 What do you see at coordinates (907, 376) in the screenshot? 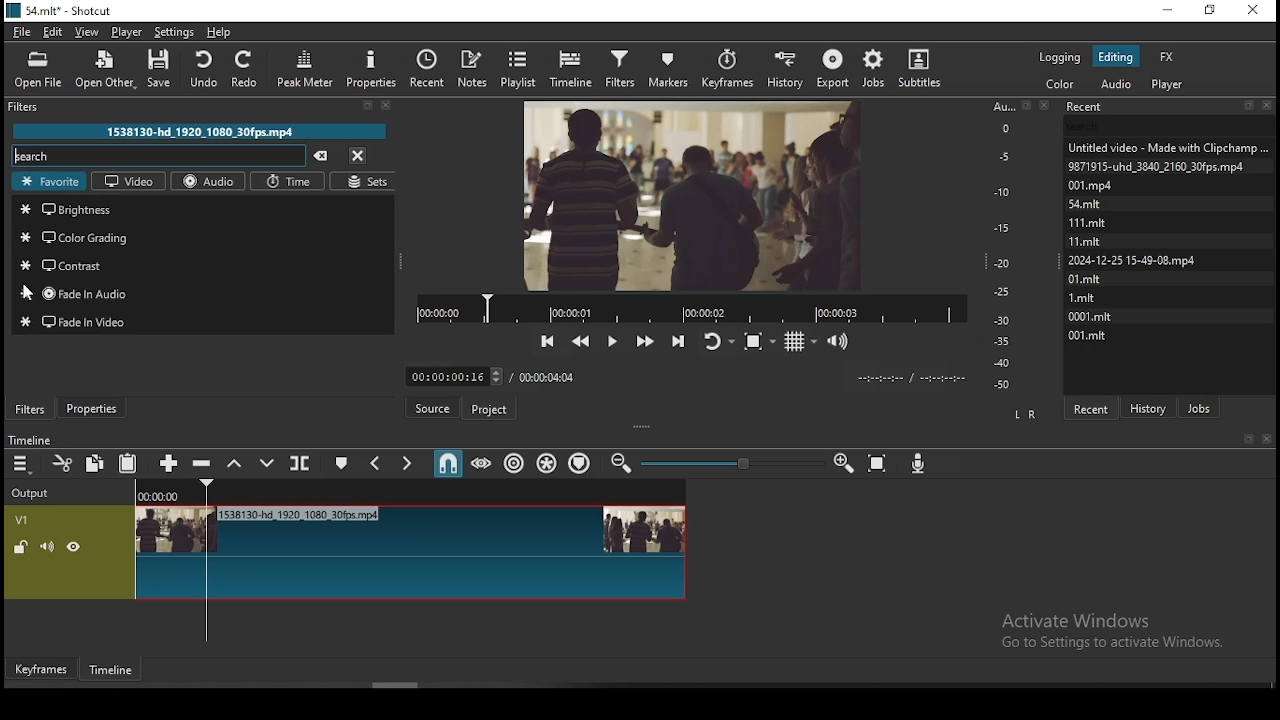
I see `time format` at bounding box center [907, 376].